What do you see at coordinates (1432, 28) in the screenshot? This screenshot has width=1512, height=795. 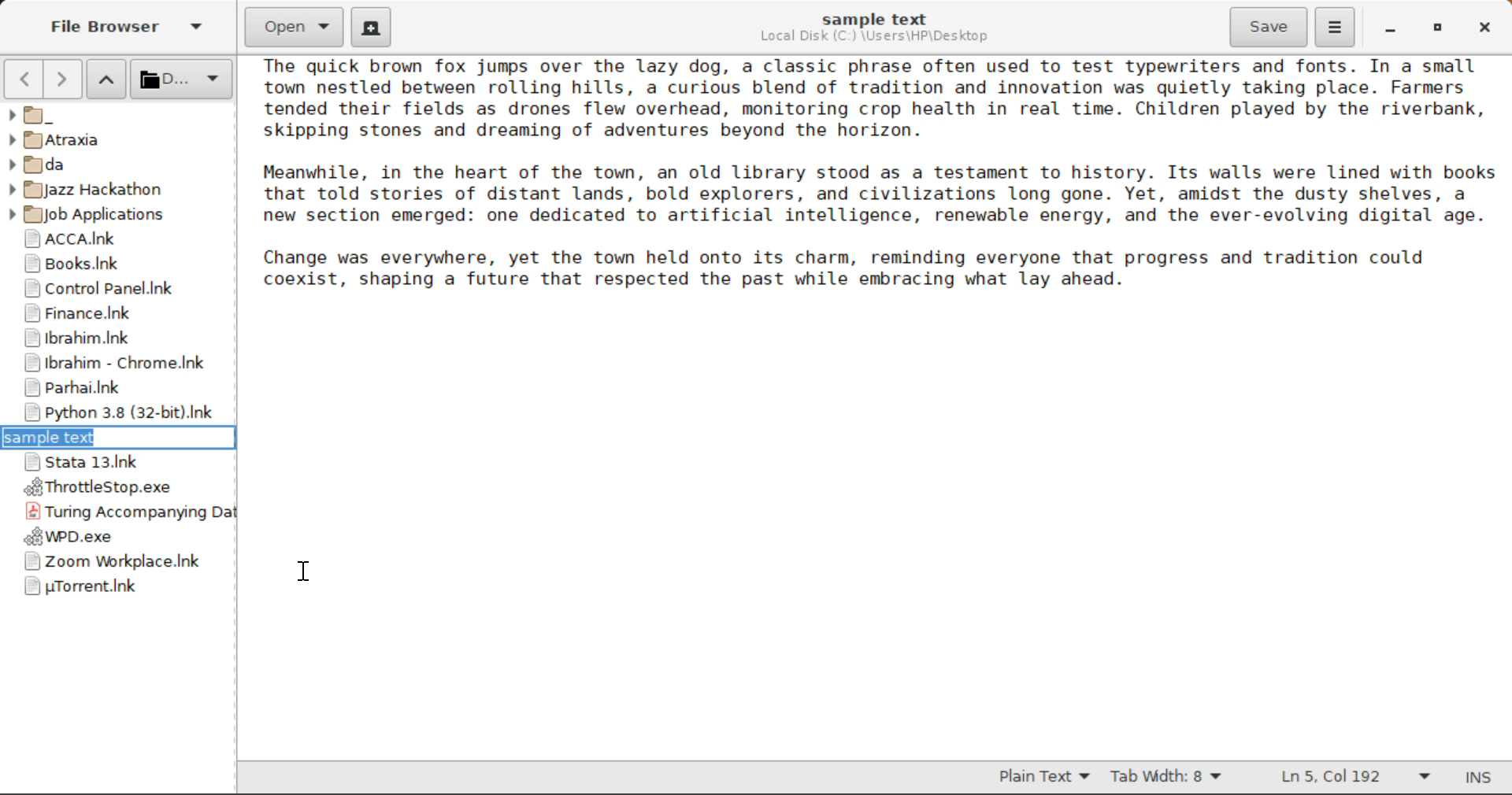 I see `Minimize` at bounding box center [1432, 28].